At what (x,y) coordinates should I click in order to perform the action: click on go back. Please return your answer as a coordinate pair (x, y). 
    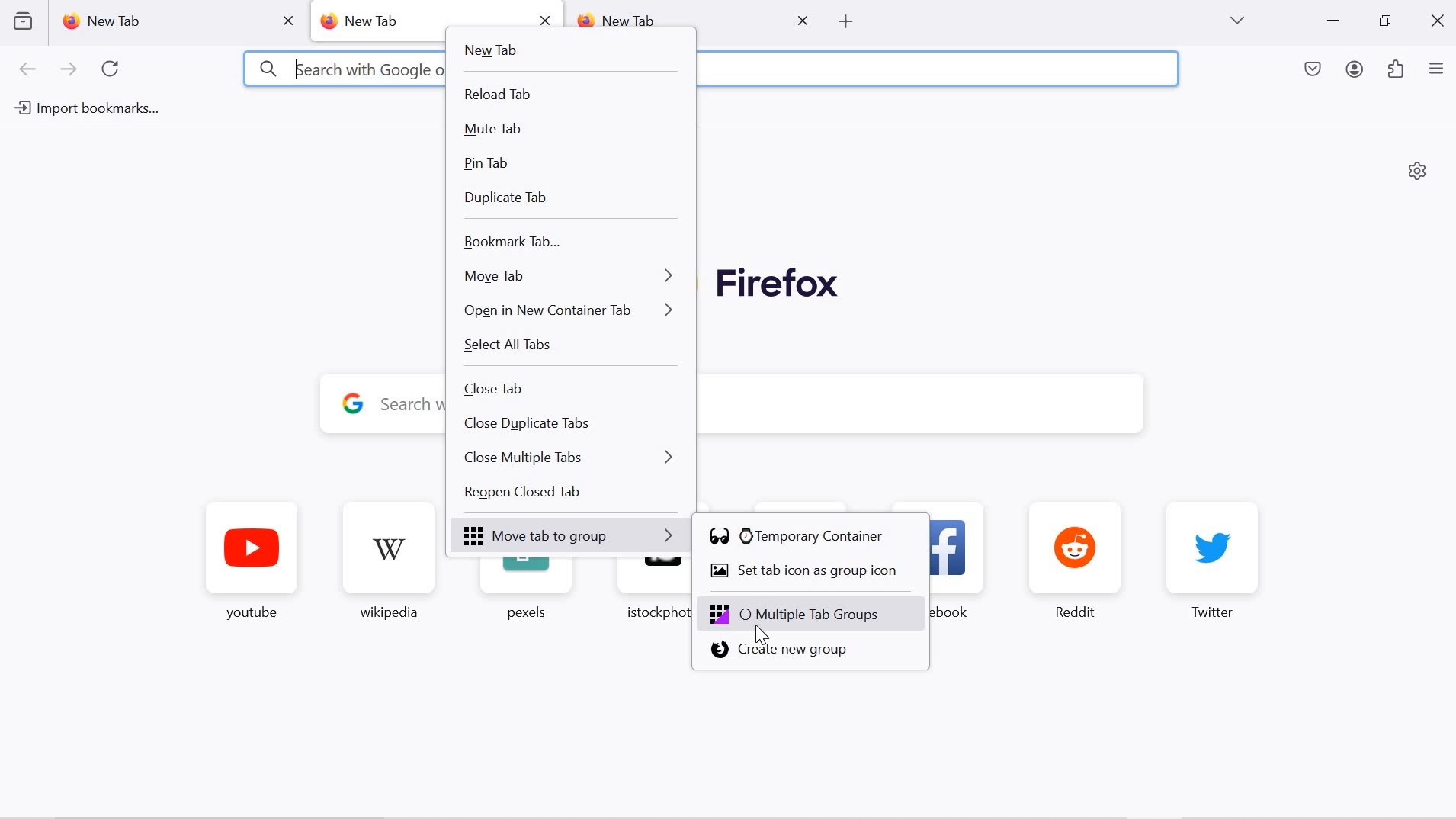
    Looking at the image, I should click on (28, 70).